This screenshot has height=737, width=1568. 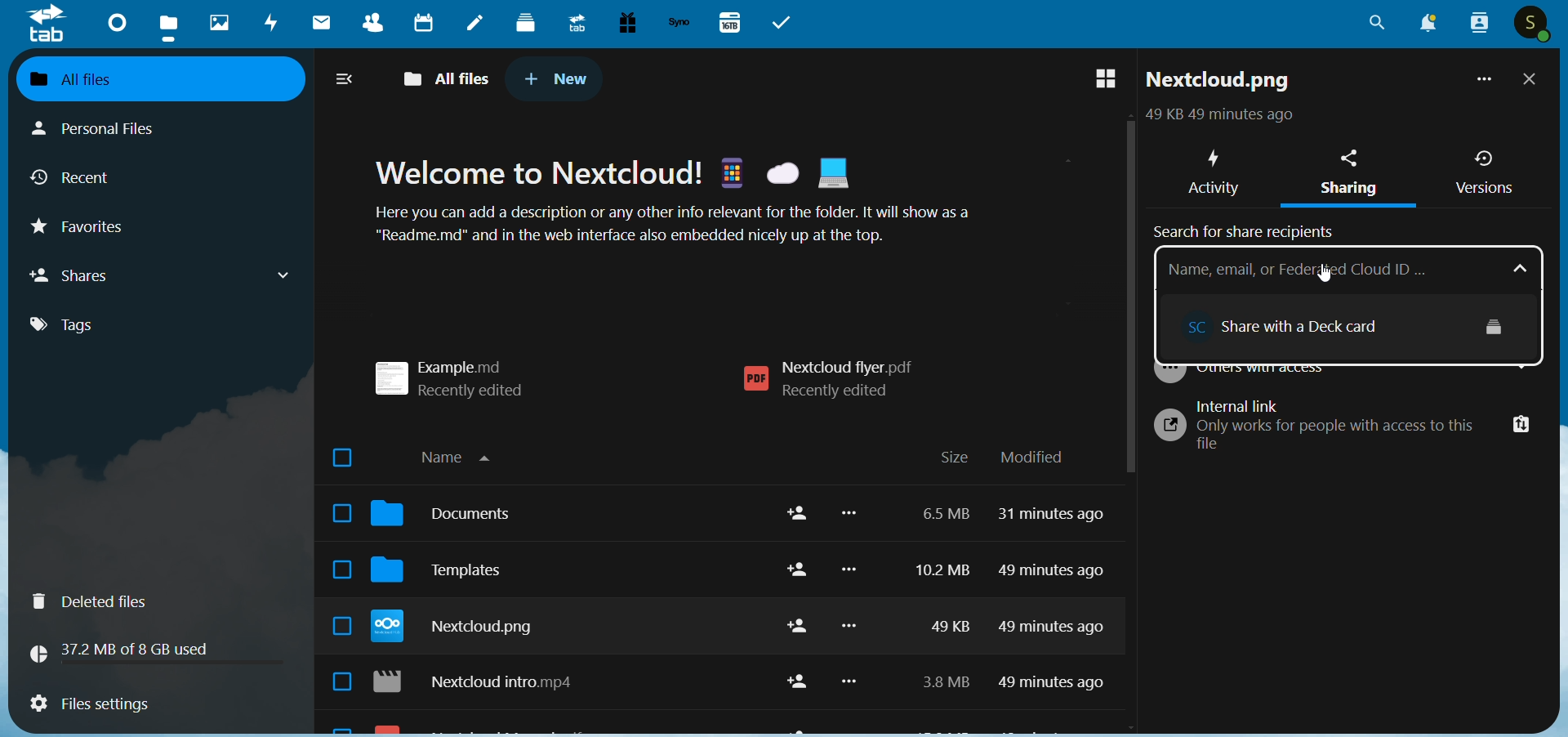 What do you see at coordinates (127, 650) in the screenshot?
I see `storage` at bounding box center [127, 650].